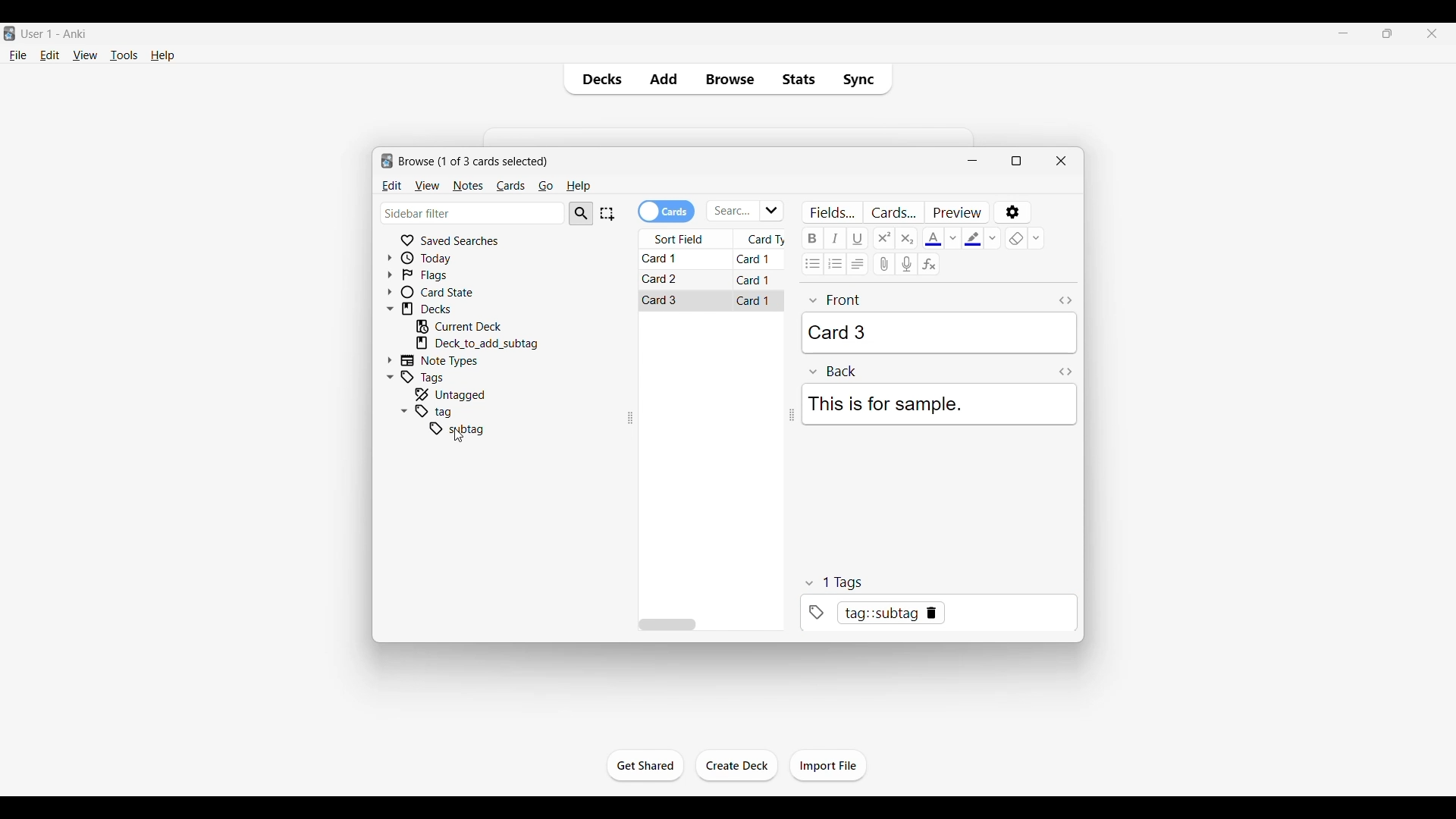 Image resolution: width=1456 pixels, height=819 pixels. I want to click on Click to expand Today, so click(389, 258).